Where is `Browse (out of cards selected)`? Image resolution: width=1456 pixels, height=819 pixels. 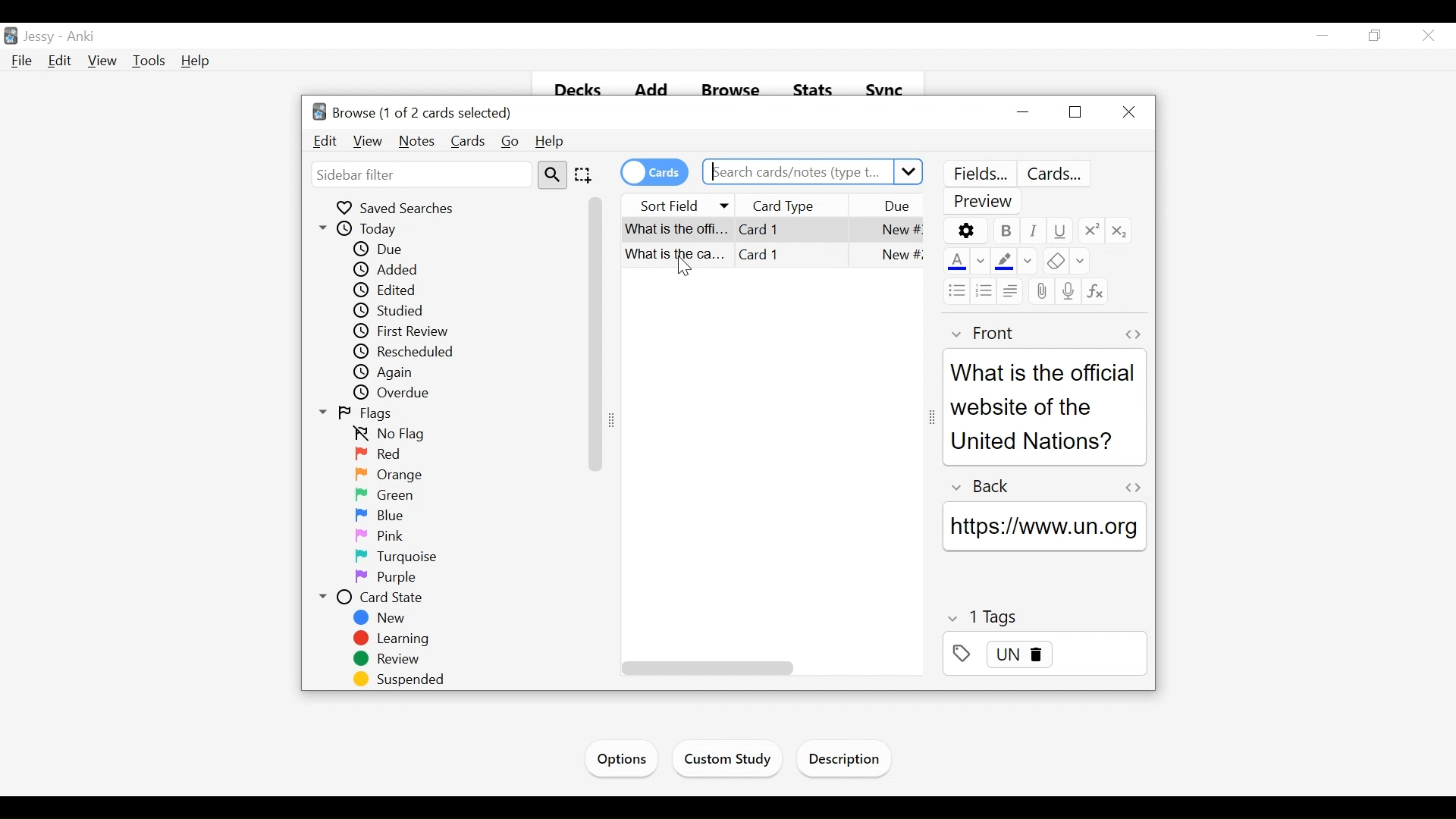 Browse (out of cards selected) is located at coordinates (415, 113).